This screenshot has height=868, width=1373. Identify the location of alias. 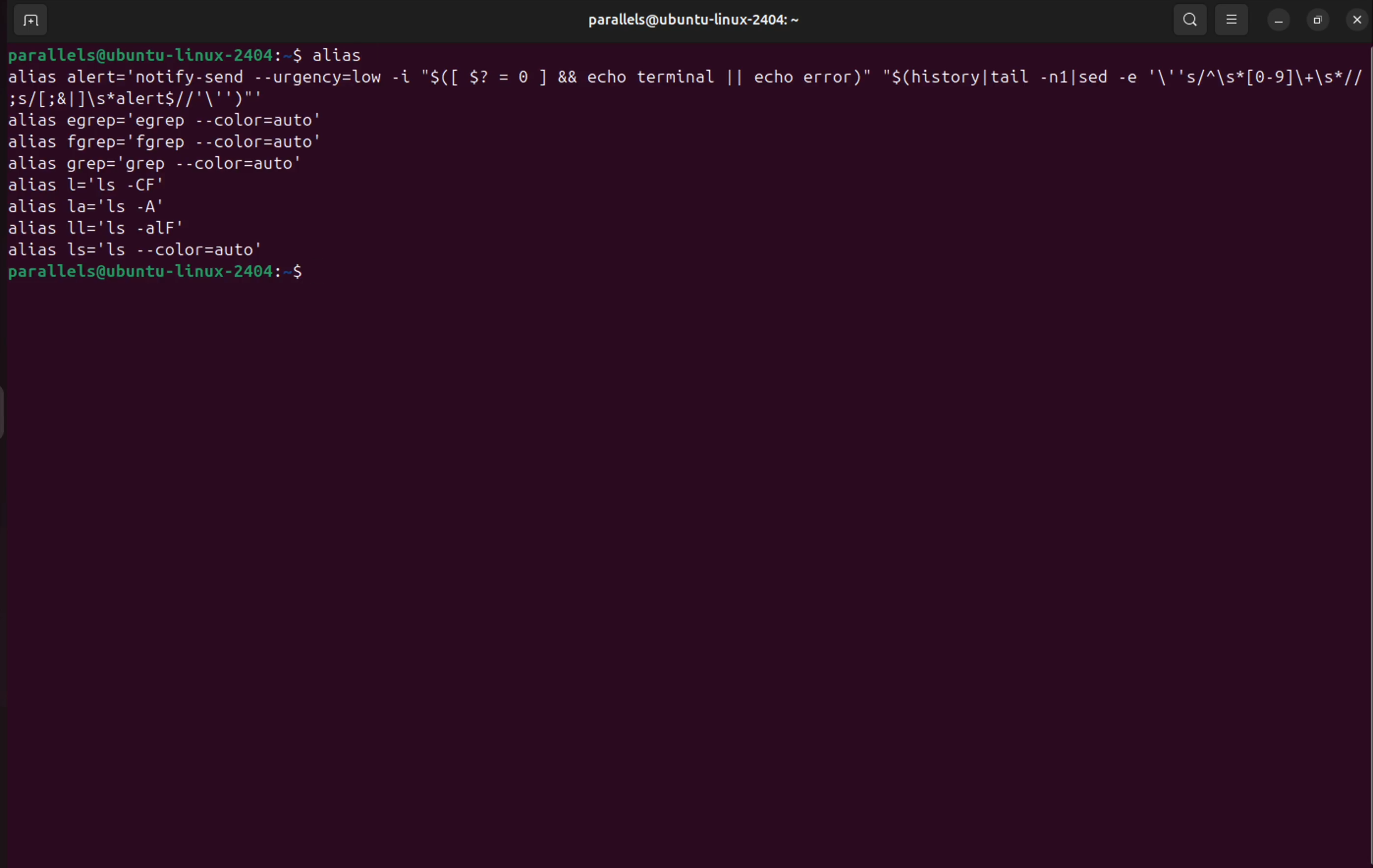
(340, 54).